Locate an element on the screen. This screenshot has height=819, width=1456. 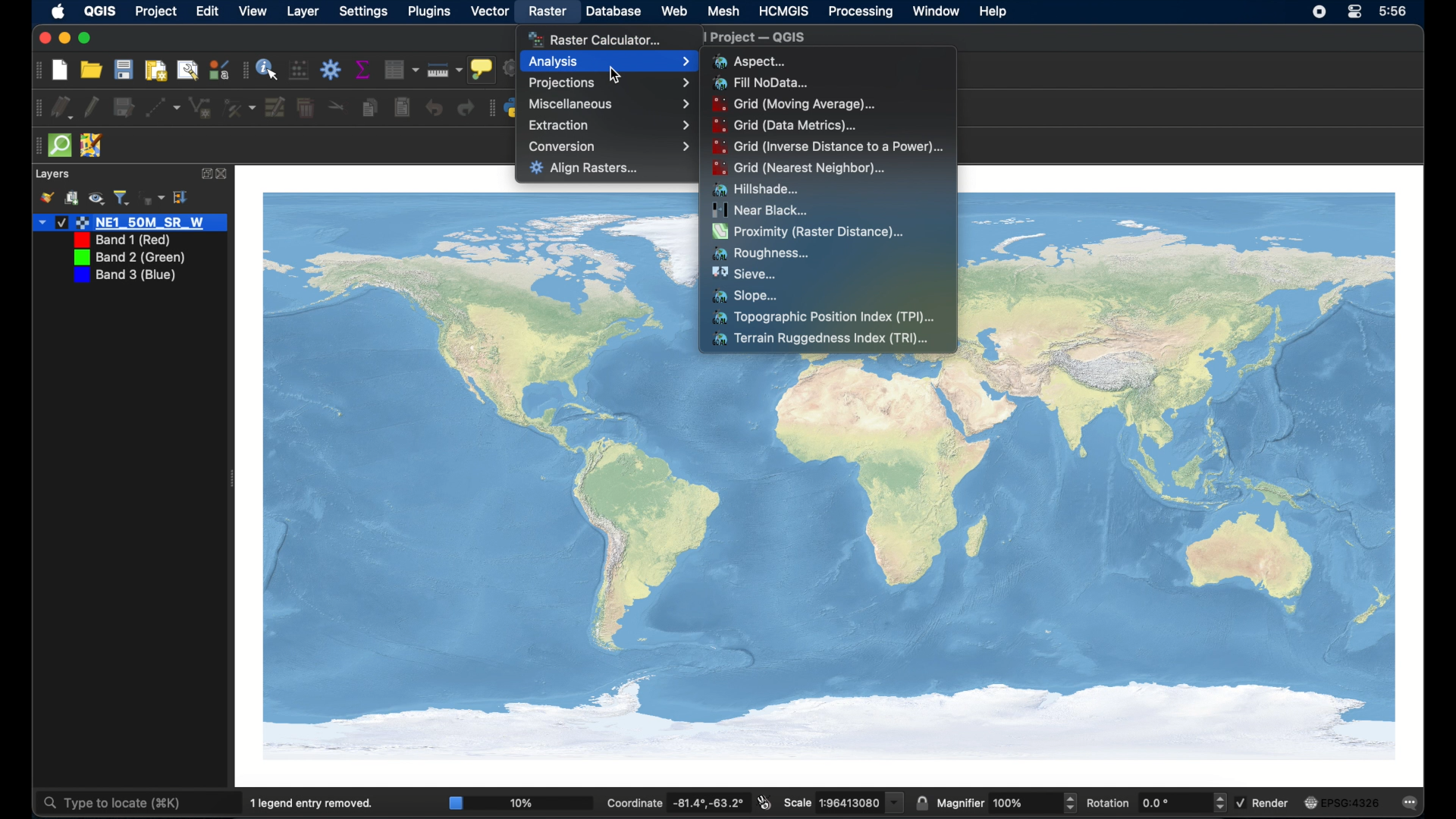
1 legend entry removed is located at coordinates (314, 802).